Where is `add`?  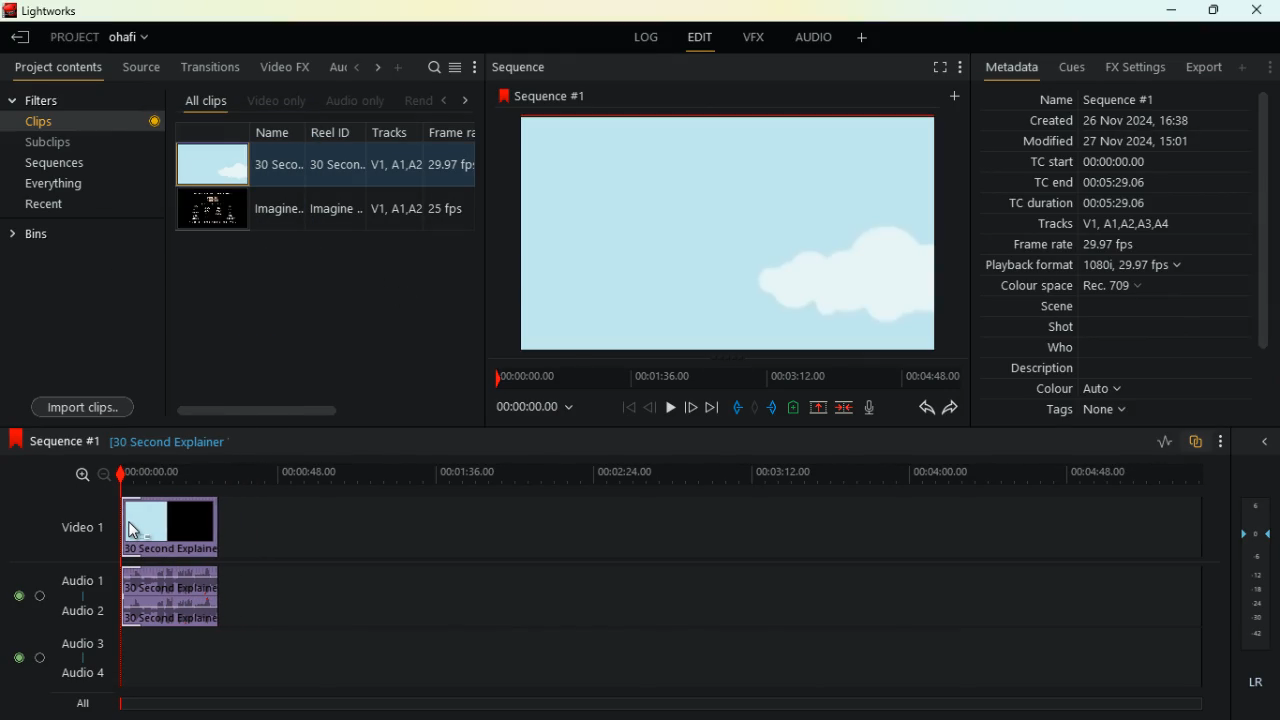 add is located at coordinates (1241, 70).